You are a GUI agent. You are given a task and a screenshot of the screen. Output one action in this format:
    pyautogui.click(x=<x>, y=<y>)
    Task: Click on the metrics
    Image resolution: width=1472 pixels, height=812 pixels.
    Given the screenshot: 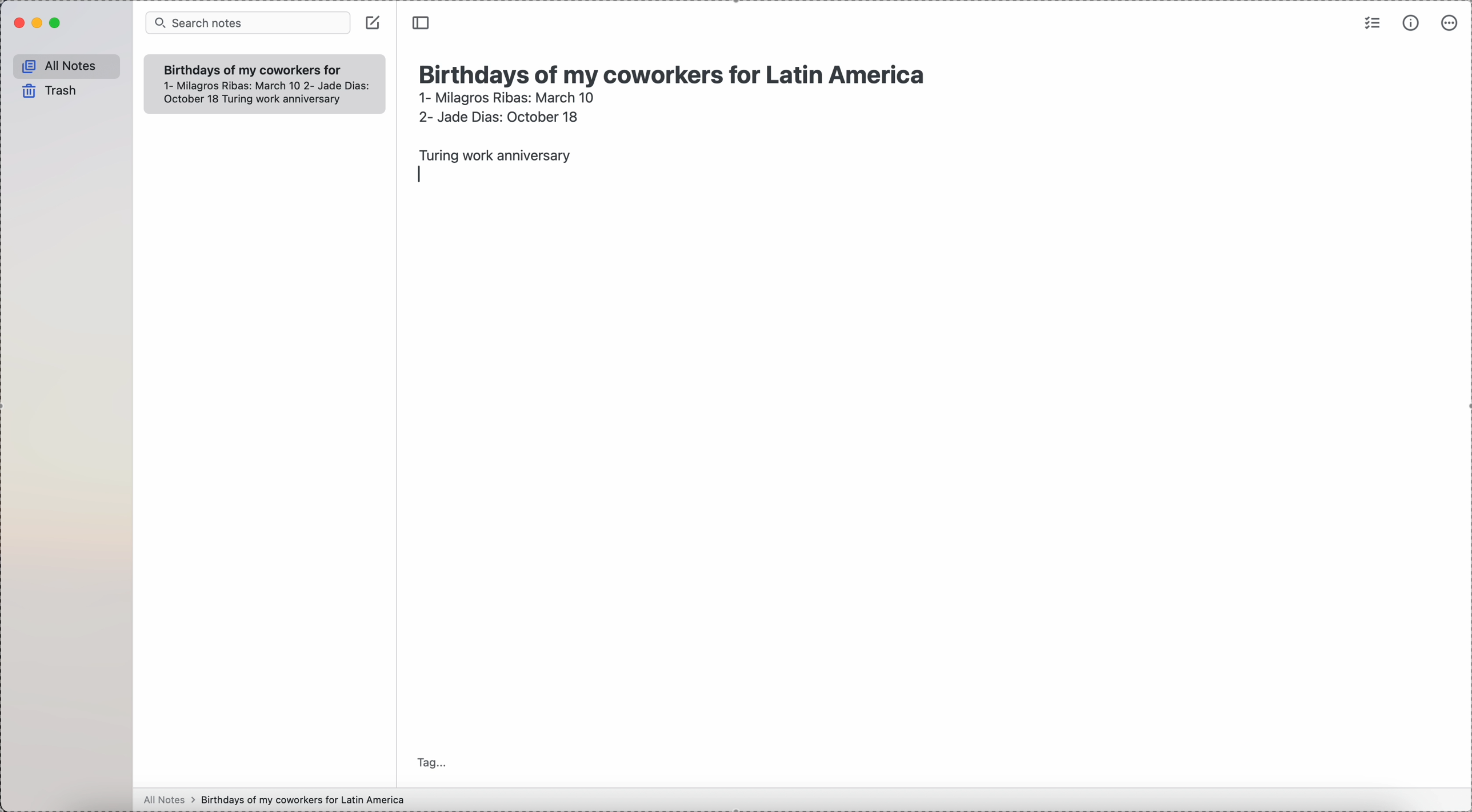 What is the action you would take?
    pyautogui.click(x=1413, y=22)
    